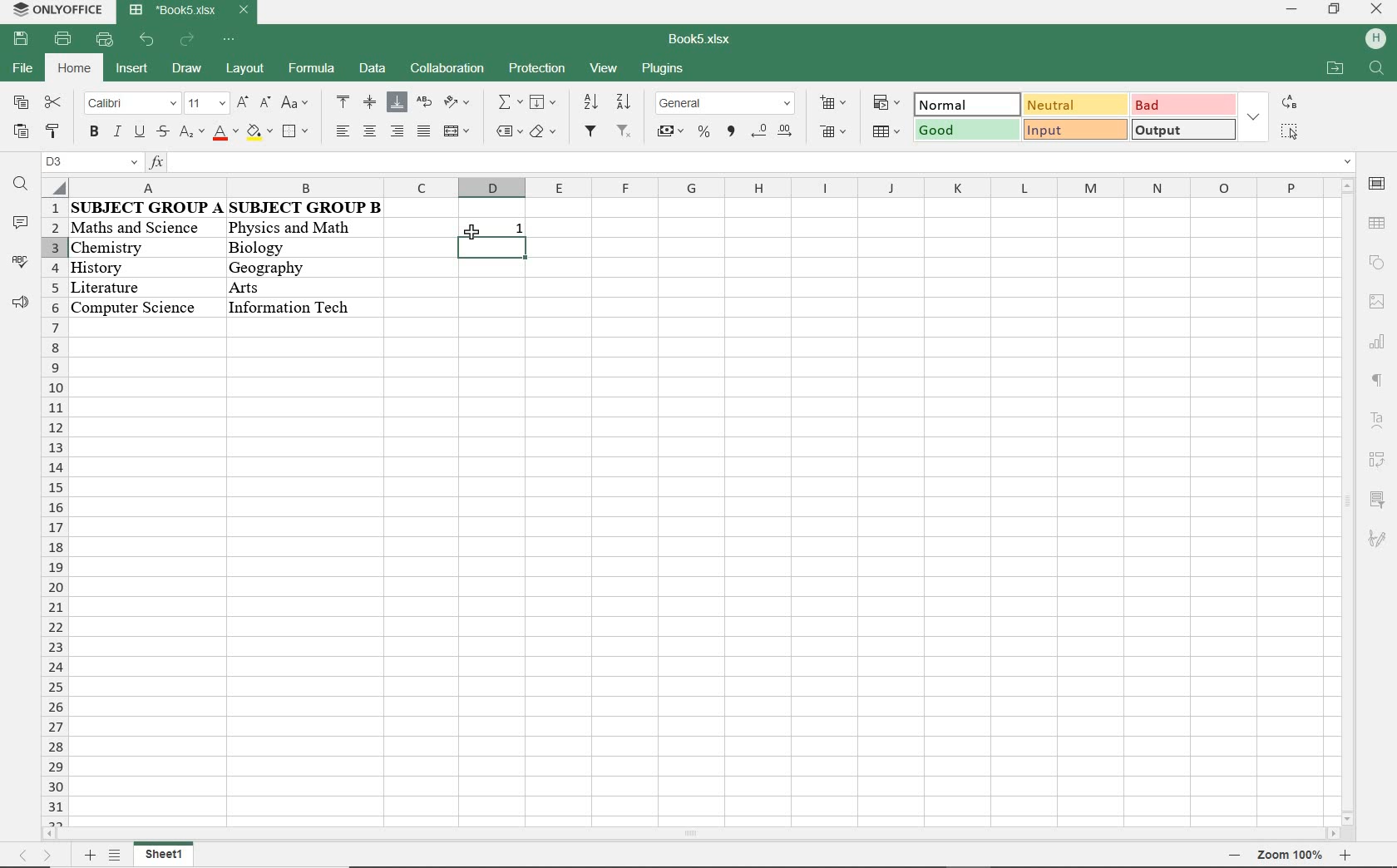  What do you see at coordinates (21, 303) in the screenshot?
I see `feedback & support` at bounding box center [21, 303].